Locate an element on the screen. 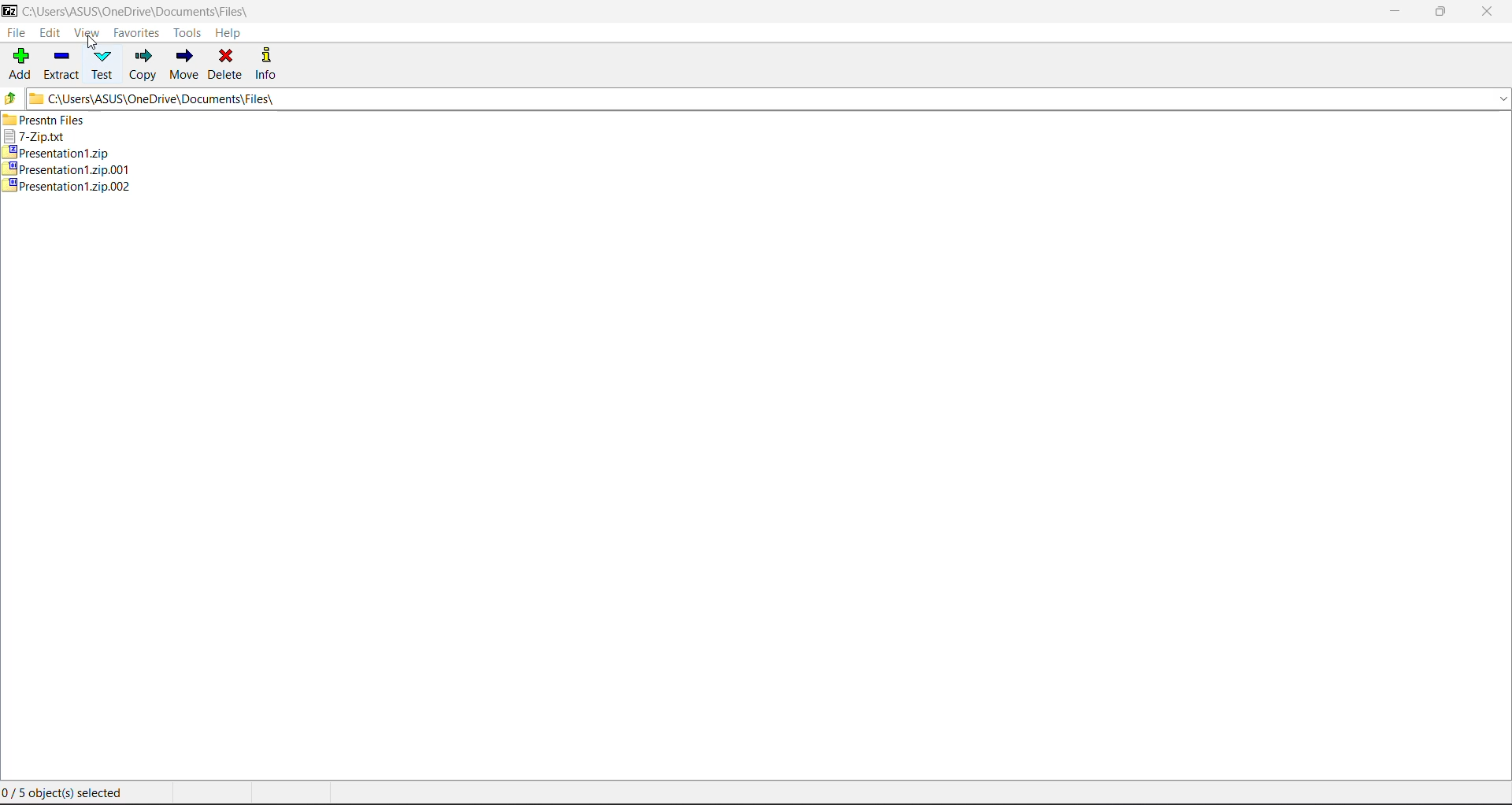 The image size is (1512, 805). Favorites is located at coordinates (136, 33).